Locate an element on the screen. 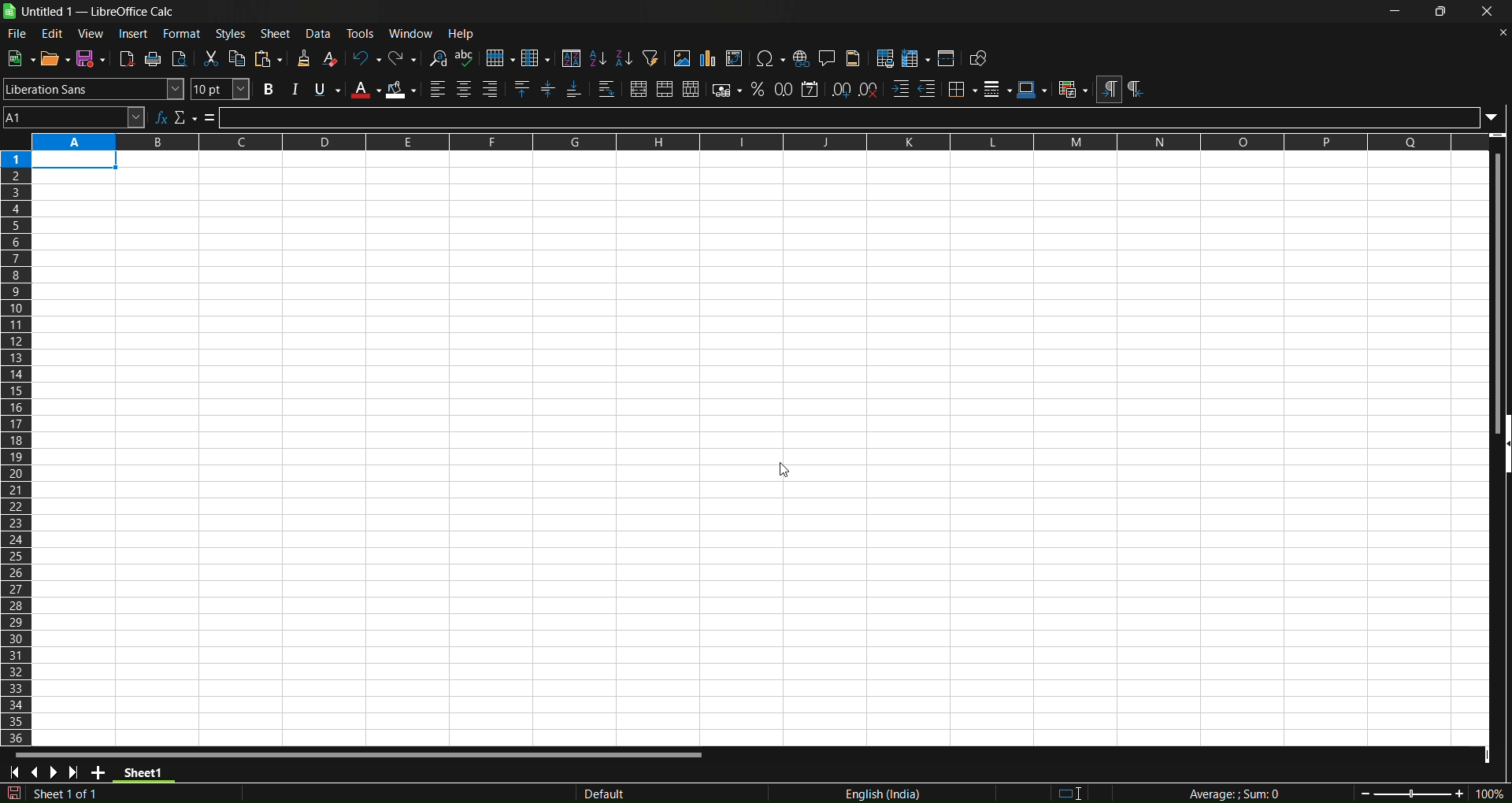 This screenshot has height=803, width=1512. input line is located at coordinates (862, 117).